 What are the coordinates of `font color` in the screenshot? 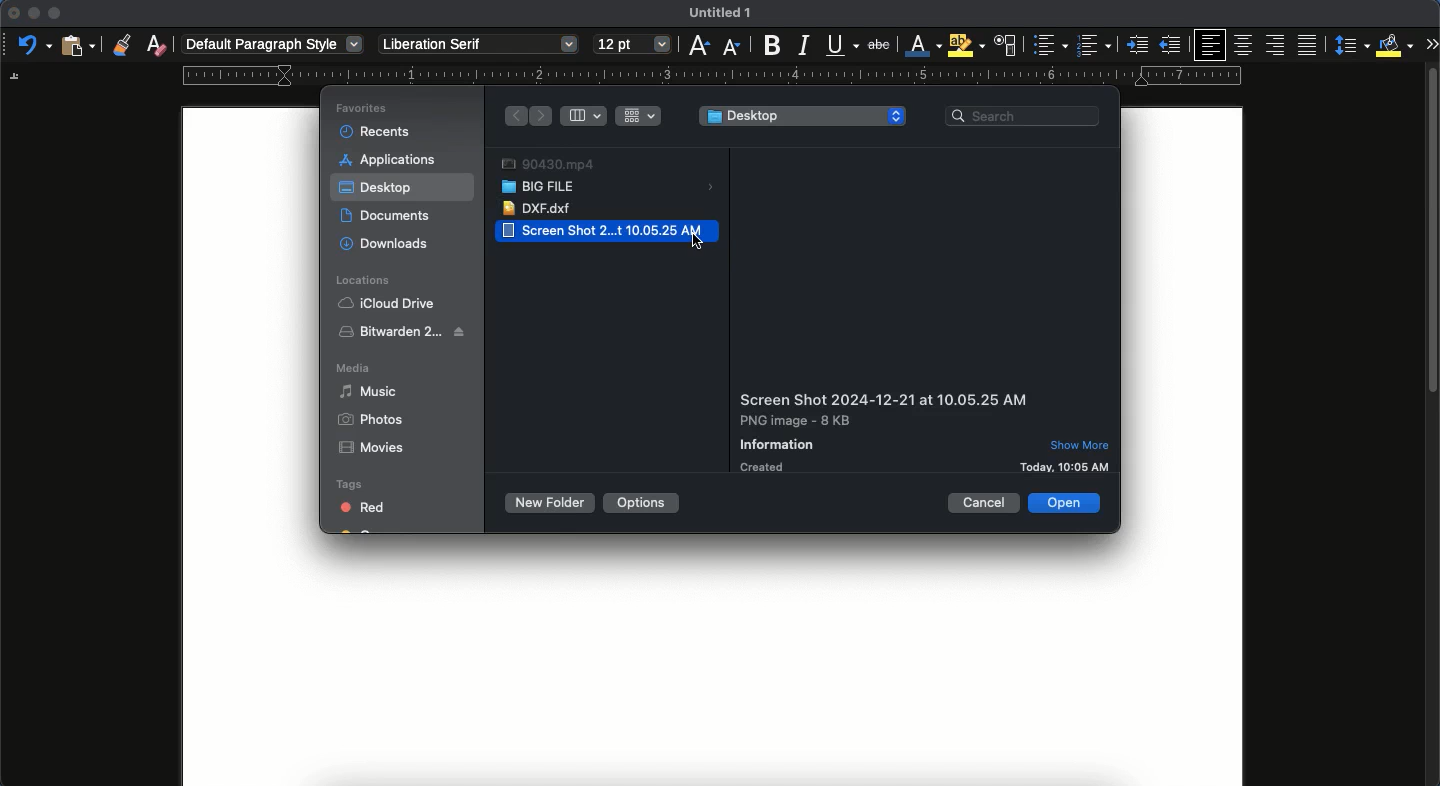 It's located at (922, 45).